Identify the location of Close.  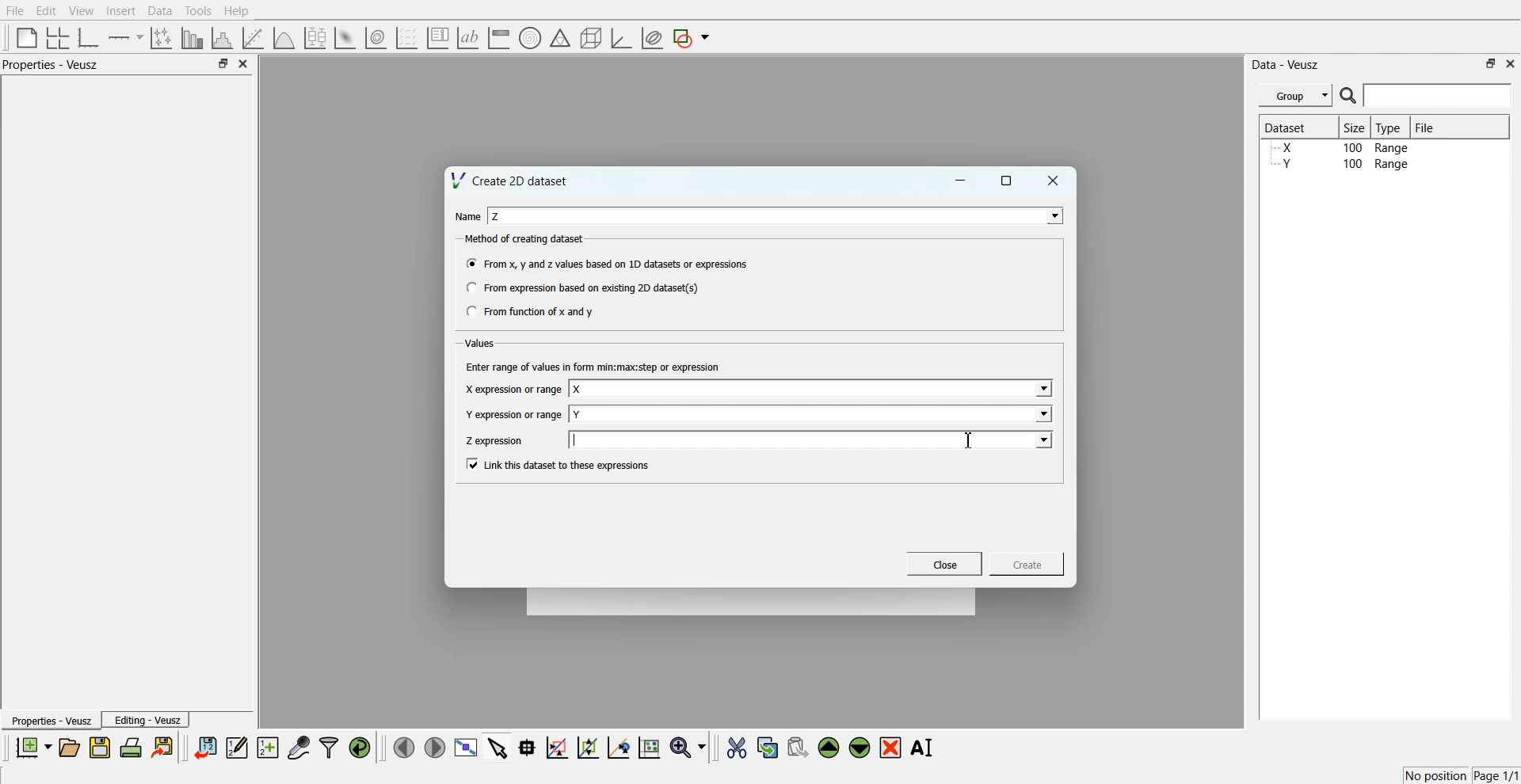
(945, 564).